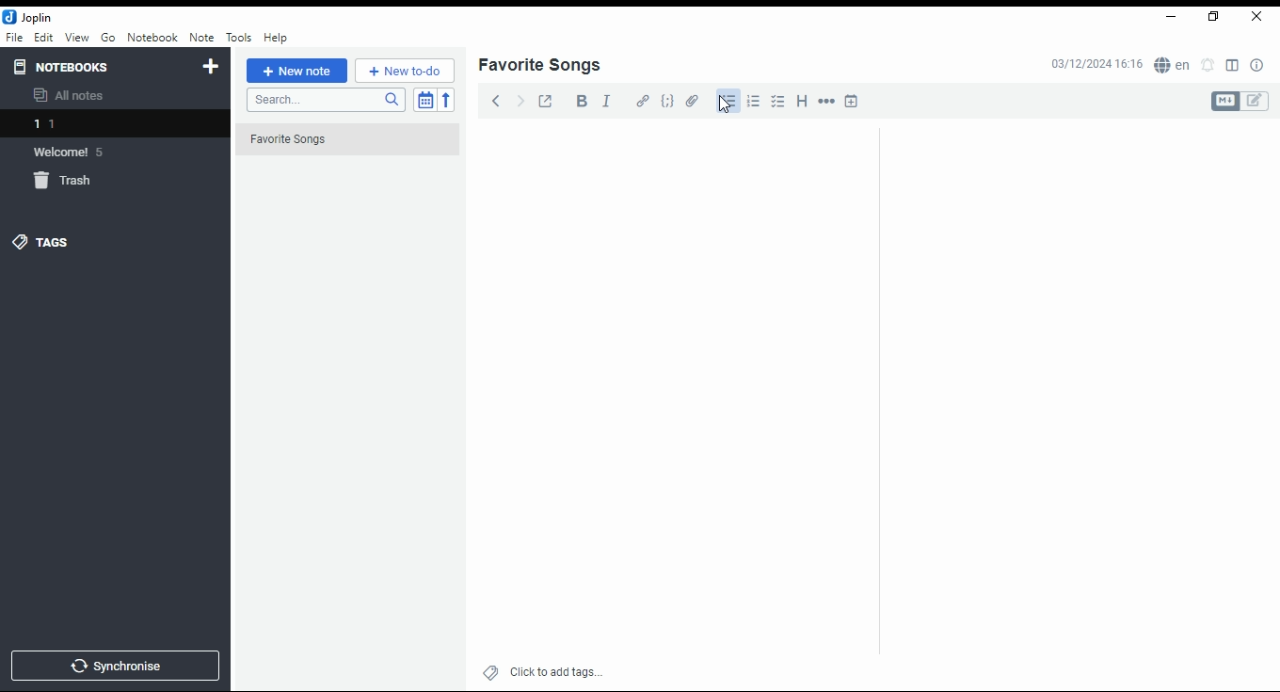  What do you see at coordinates (112, 665) in the screenshot?
I see `synchronise` at bounding box center [112, 665].